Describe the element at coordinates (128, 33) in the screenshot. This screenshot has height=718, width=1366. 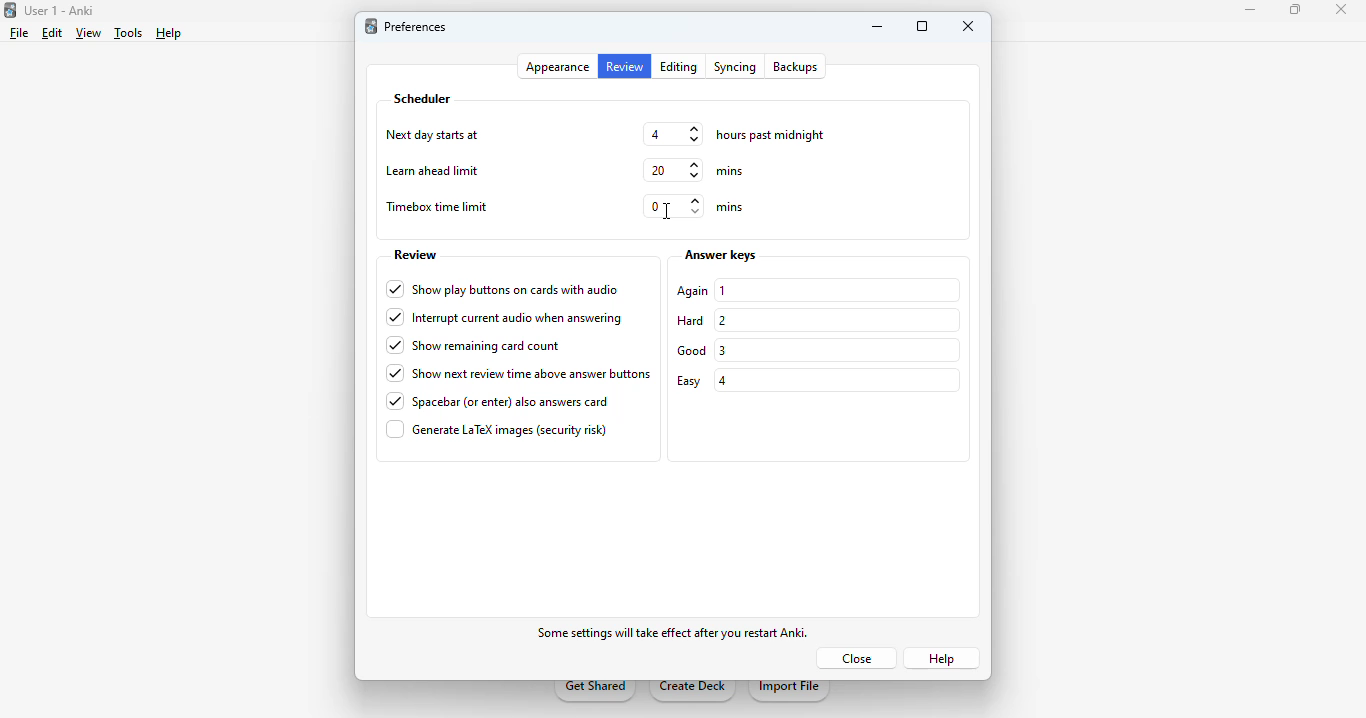
I see `tools` at that location.